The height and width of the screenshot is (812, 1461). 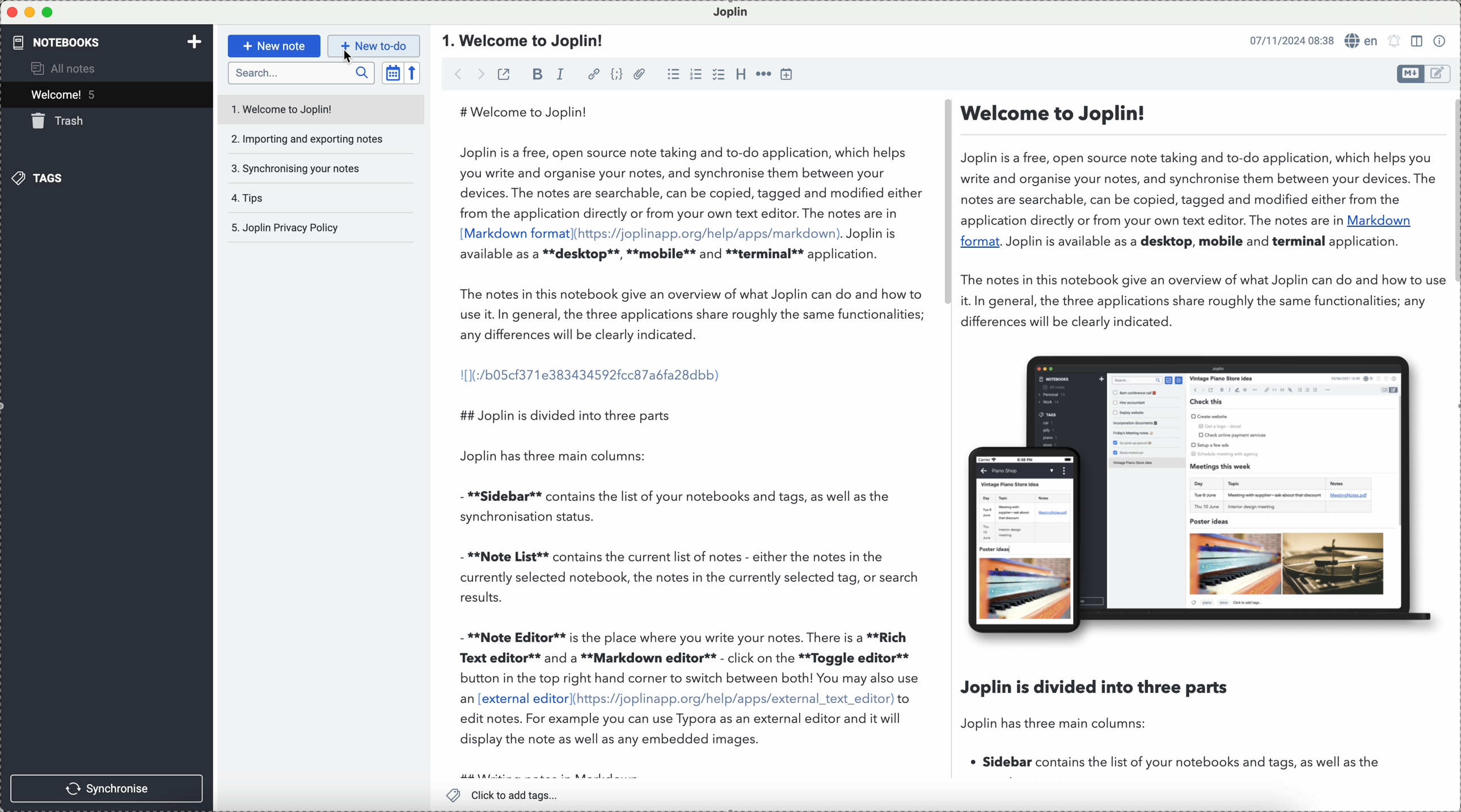 I want to click on Joplin, so click(x=731, y=13).